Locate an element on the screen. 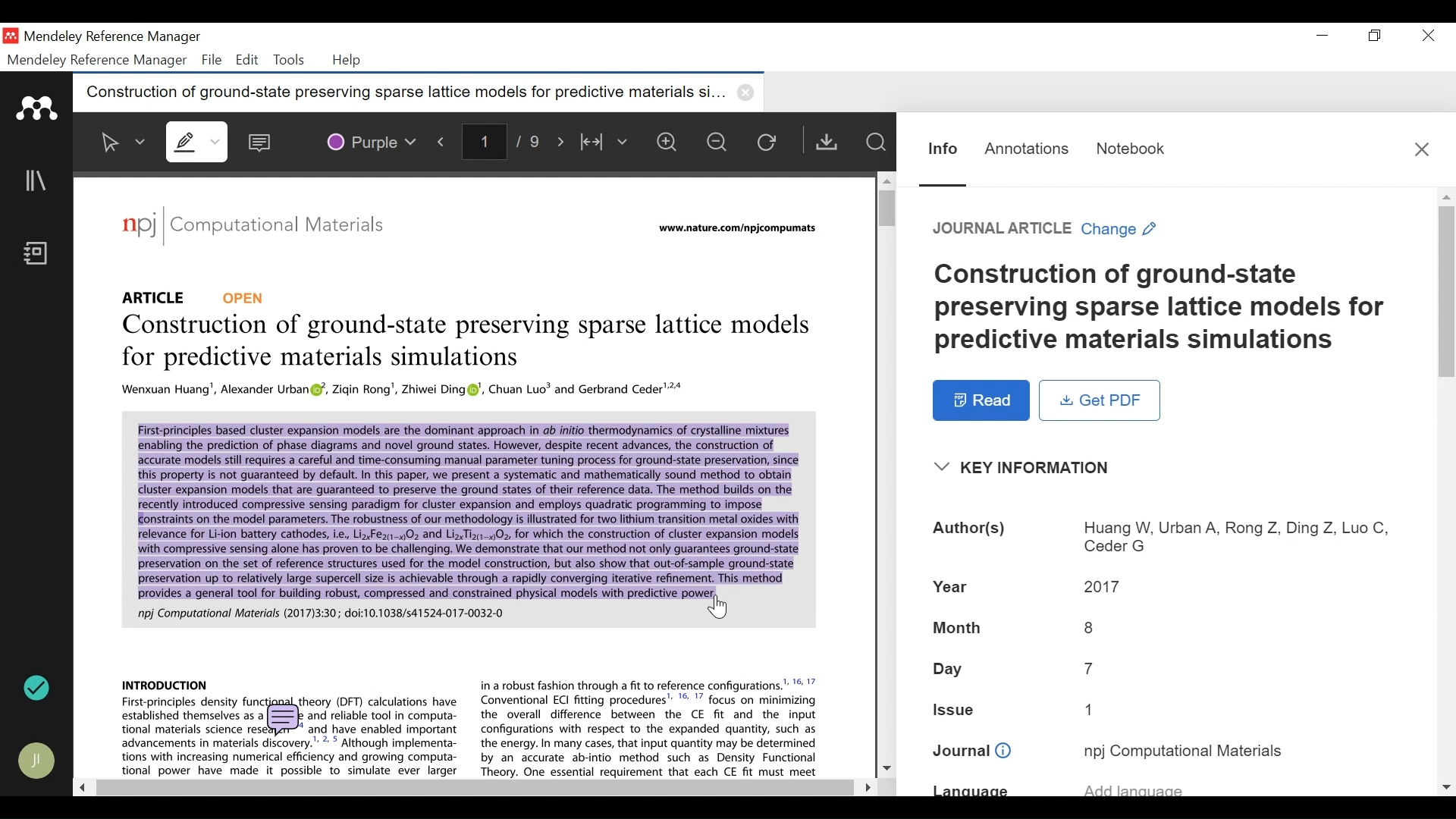  page number/total number of pages is located at coordinates (507, 140).